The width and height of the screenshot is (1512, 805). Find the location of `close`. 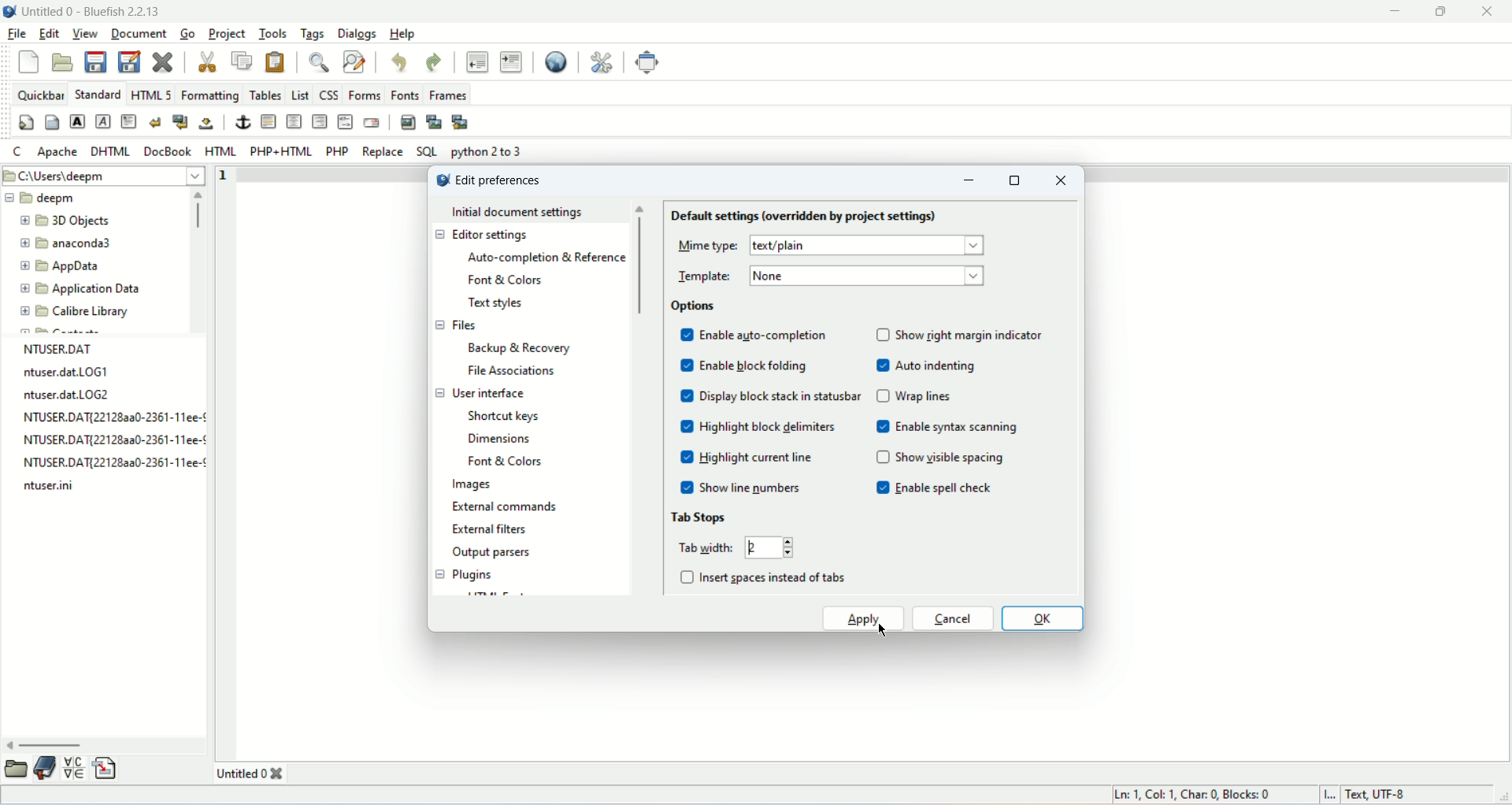

close is located at coordinates (1062, 180).